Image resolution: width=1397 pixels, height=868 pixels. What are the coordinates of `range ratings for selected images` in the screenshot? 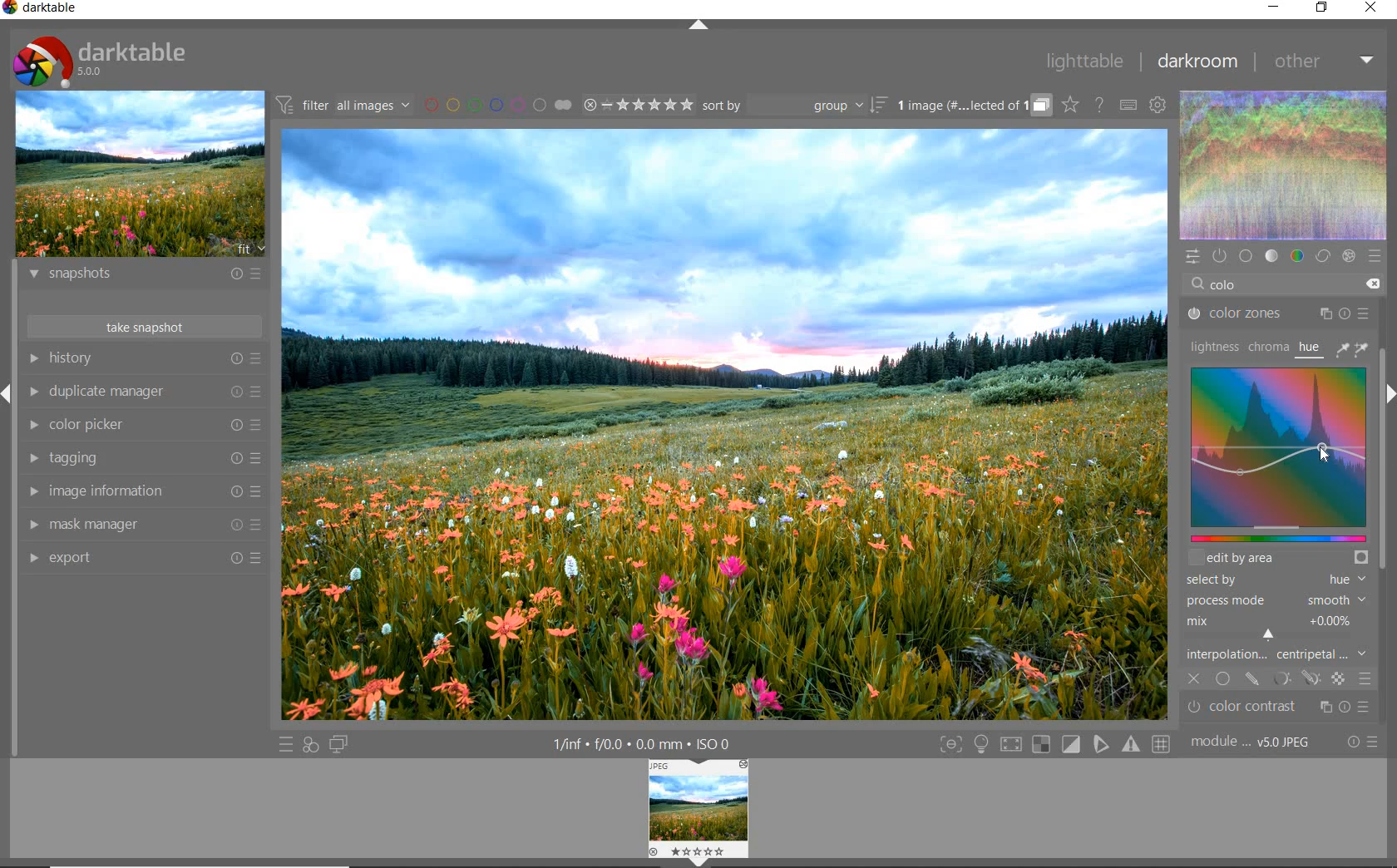 It's located at (639, 105).